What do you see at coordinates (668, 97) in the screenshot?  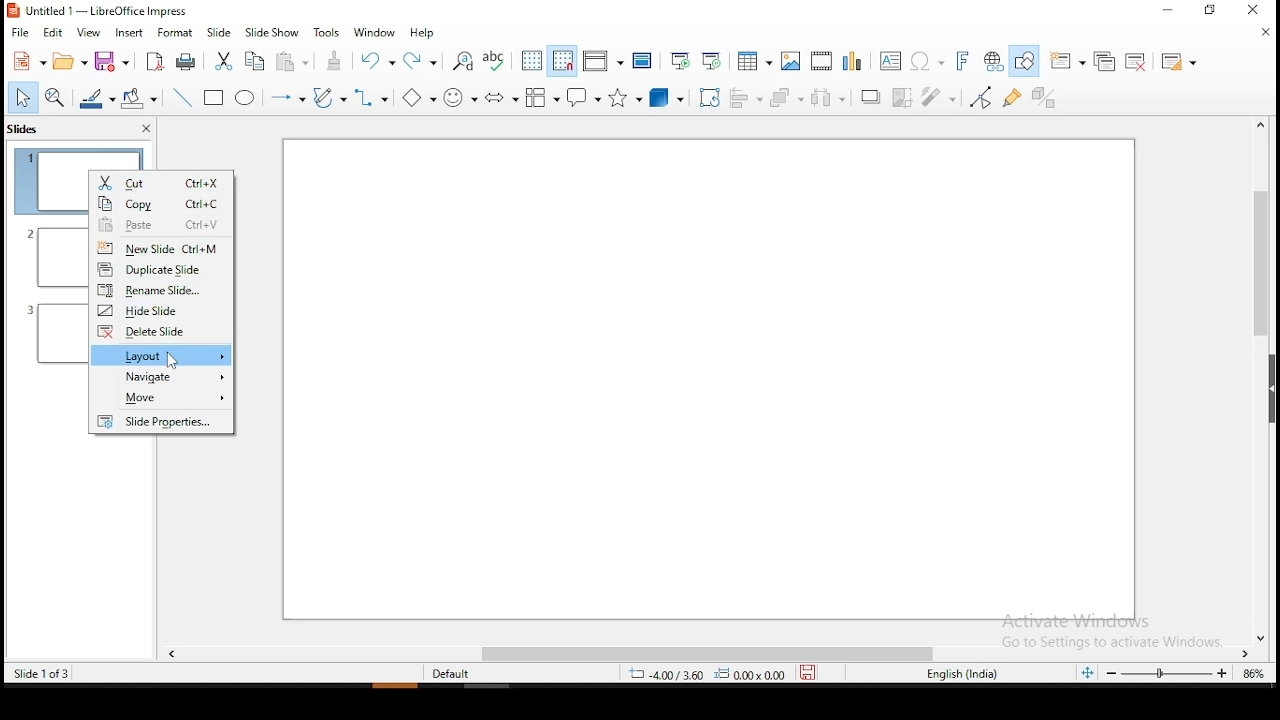 I see `3D shapes` at bounding box center [668, 97].